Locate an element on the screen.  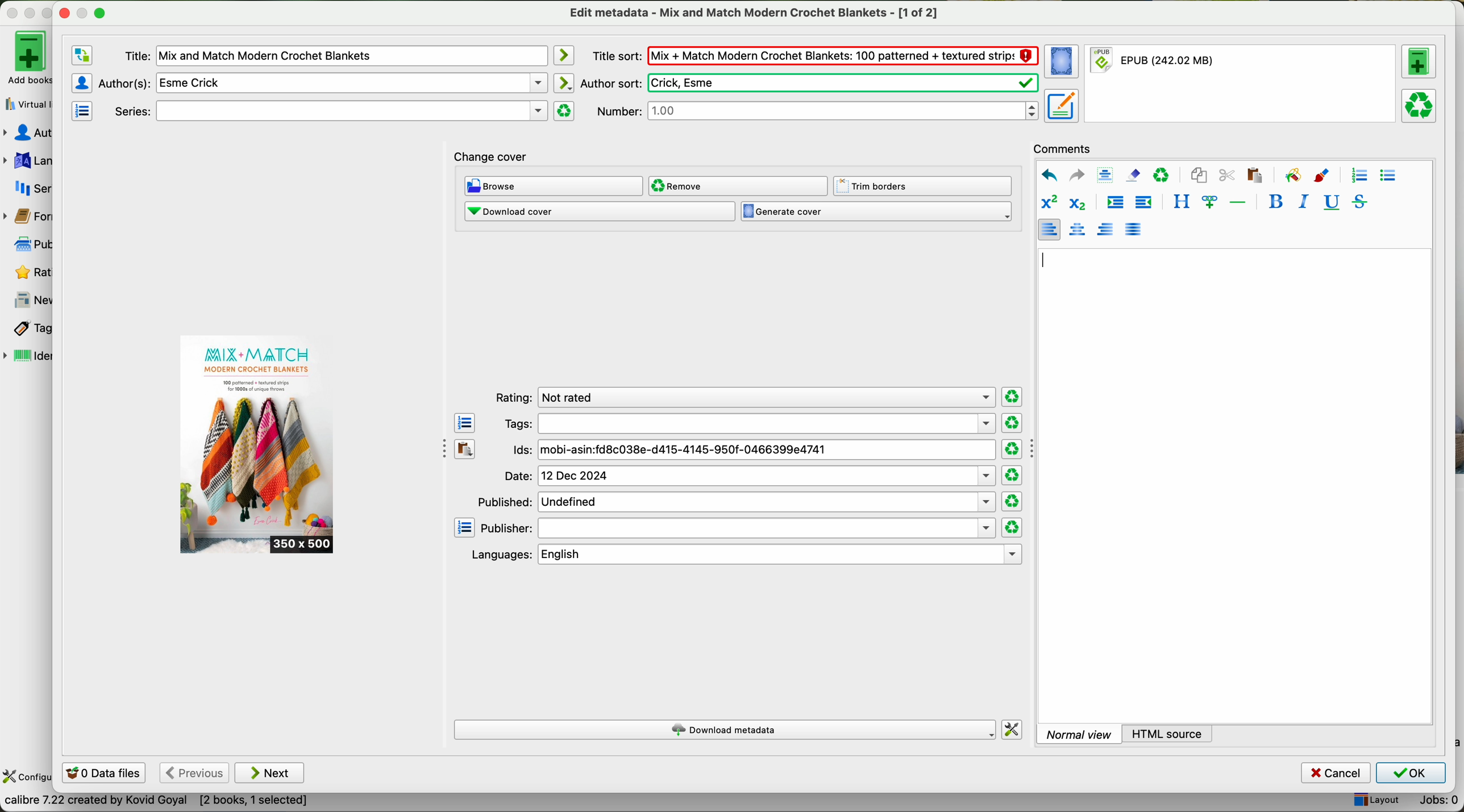
formats is located at coordinates (26, 216).